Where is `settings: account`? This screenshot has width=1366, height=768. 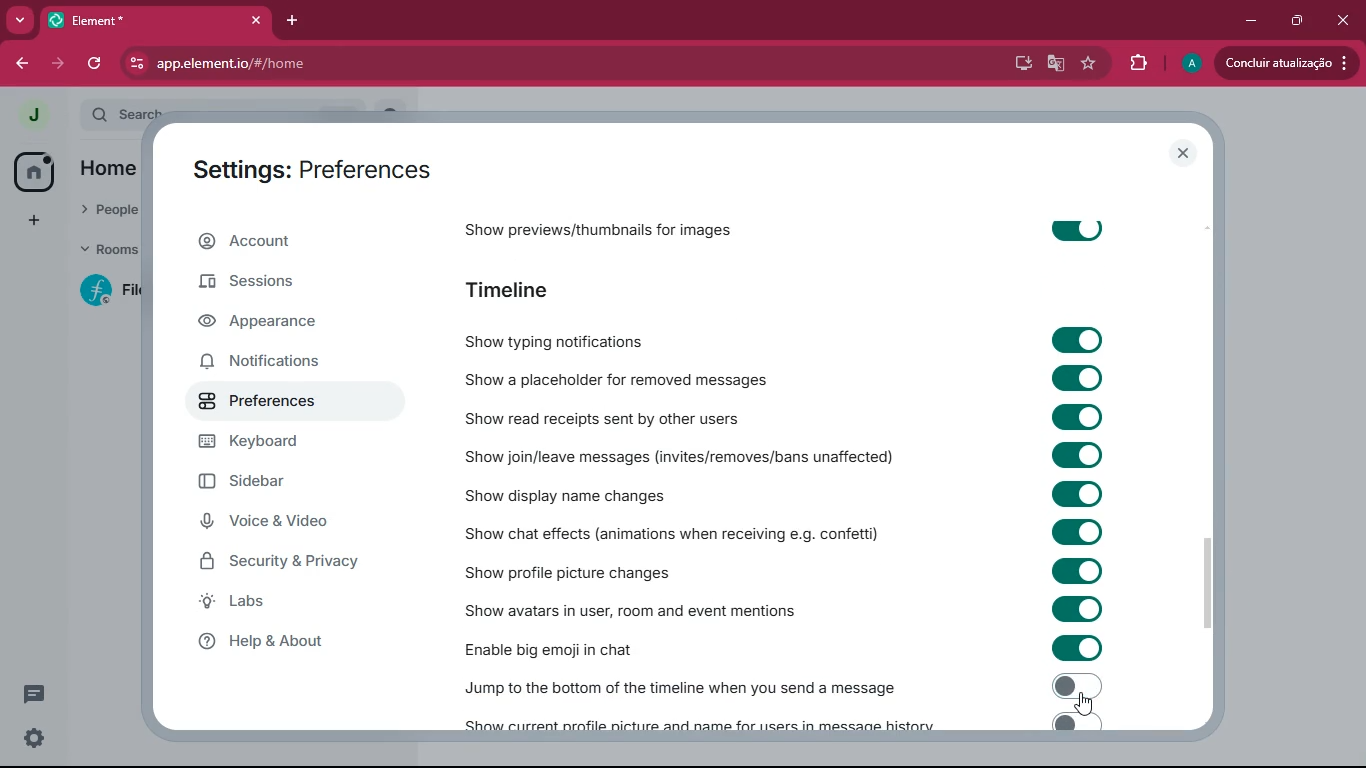 settings: account is located at coordinates (305, 173).